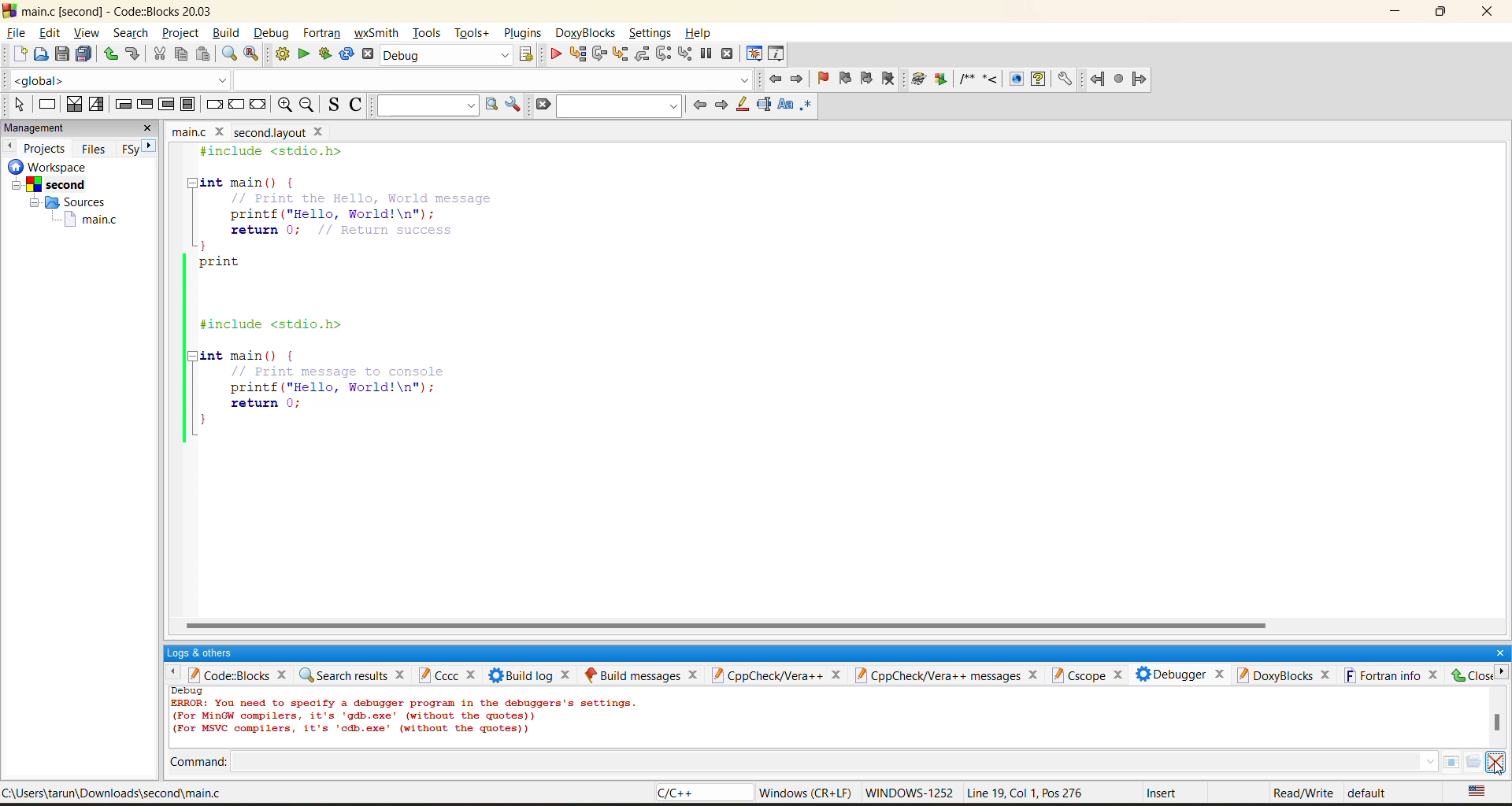  What do you see at coordinates (723, 107) in the screenshot?
I see `next` at bounding box center [723, 107].